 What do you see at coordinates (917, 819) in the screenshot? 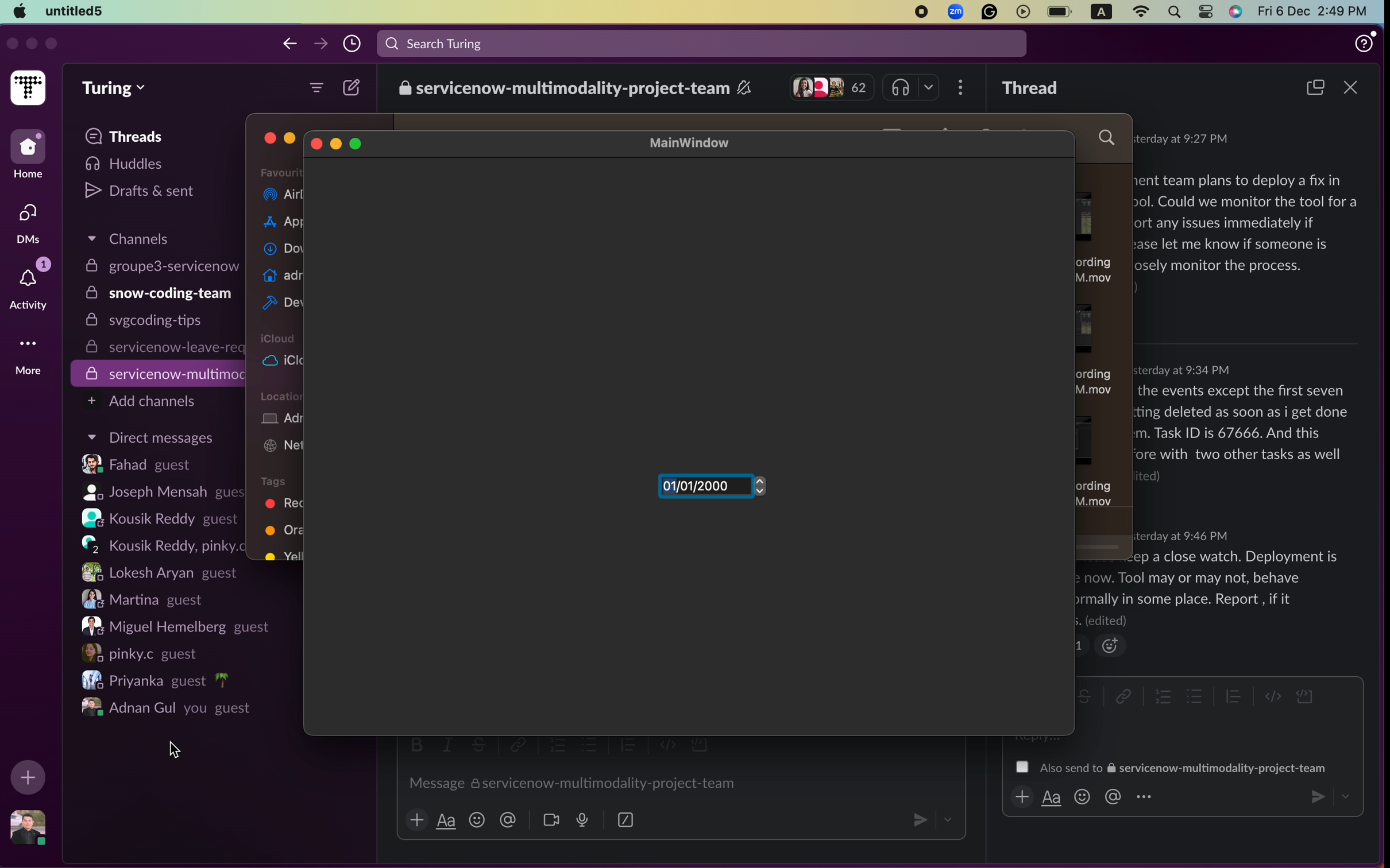
I see `send` at bounding box center [917, 819].